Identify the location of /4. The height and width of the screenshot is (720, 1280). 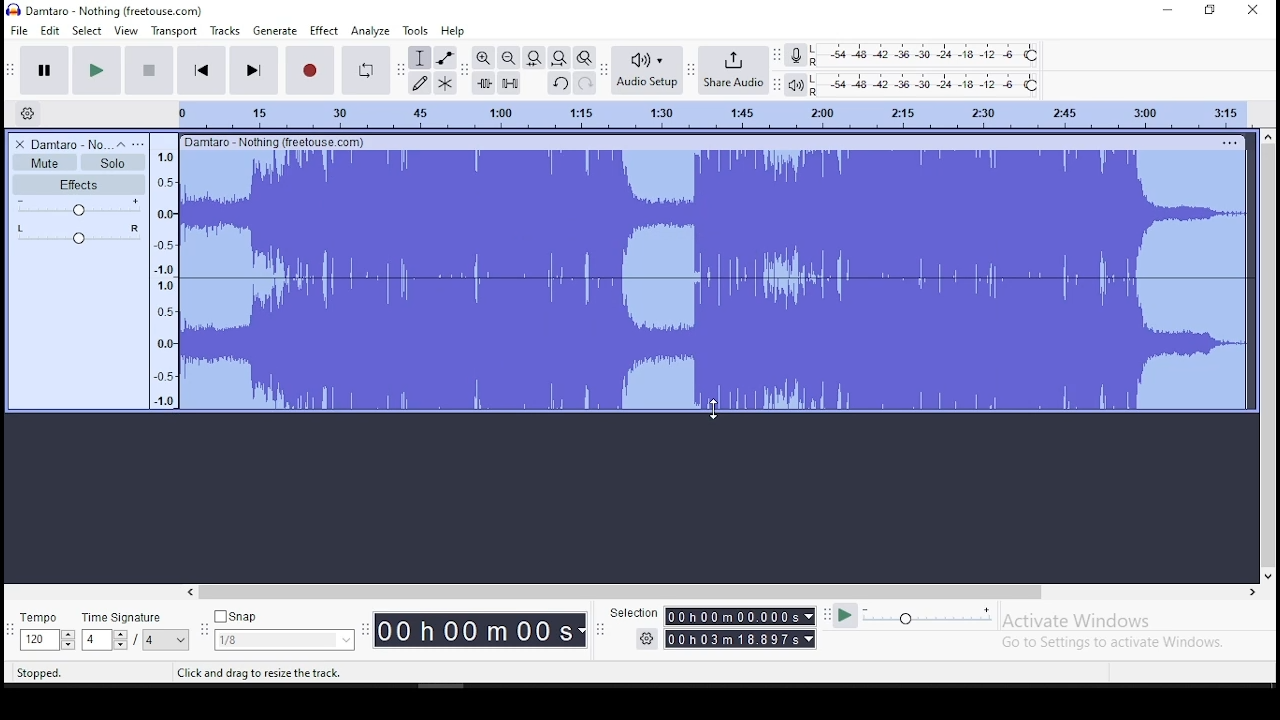
(147, 641).